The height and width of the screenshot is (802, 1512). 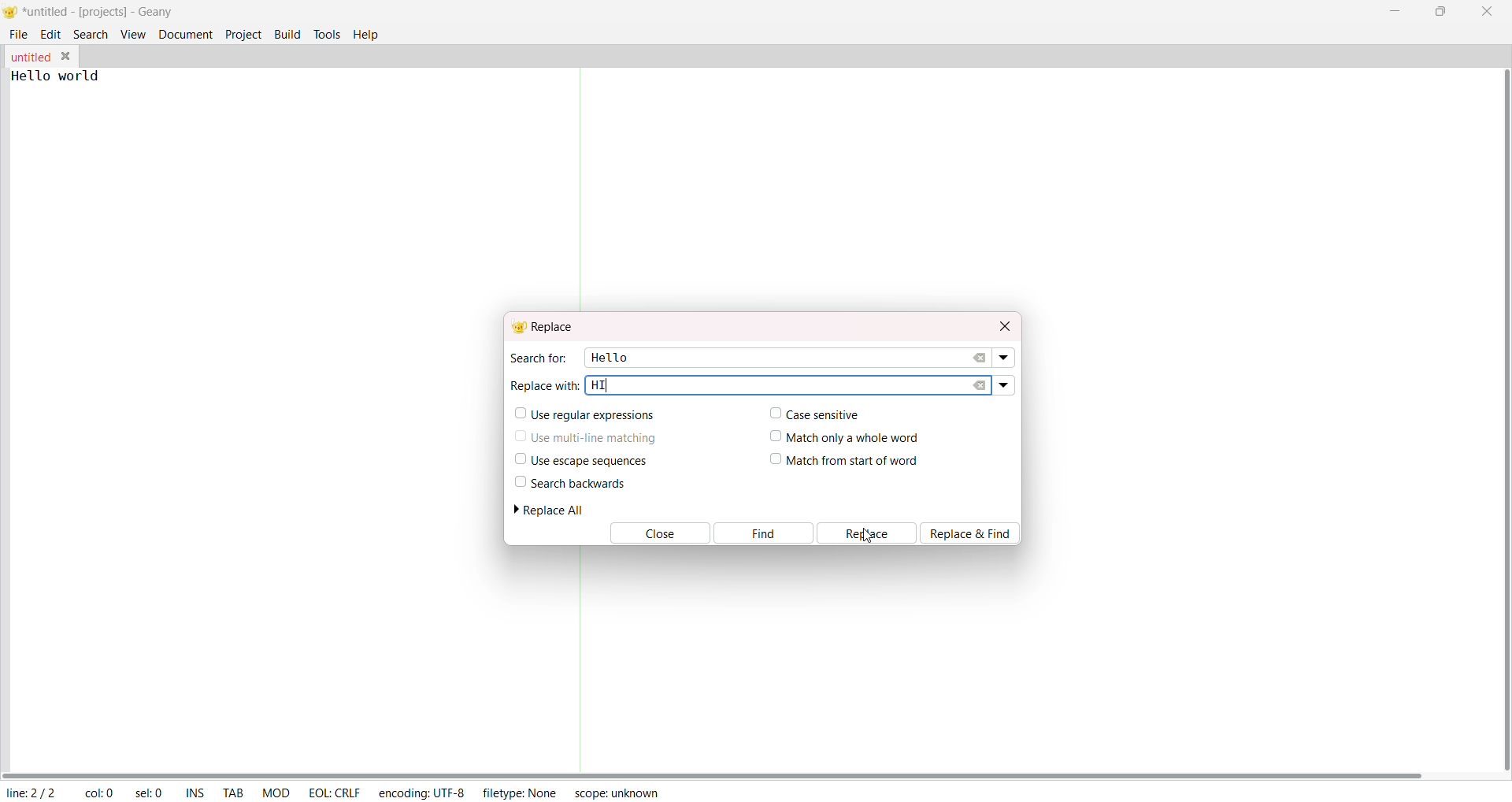 I want to click on Hello world, so click(x=68, y=76).